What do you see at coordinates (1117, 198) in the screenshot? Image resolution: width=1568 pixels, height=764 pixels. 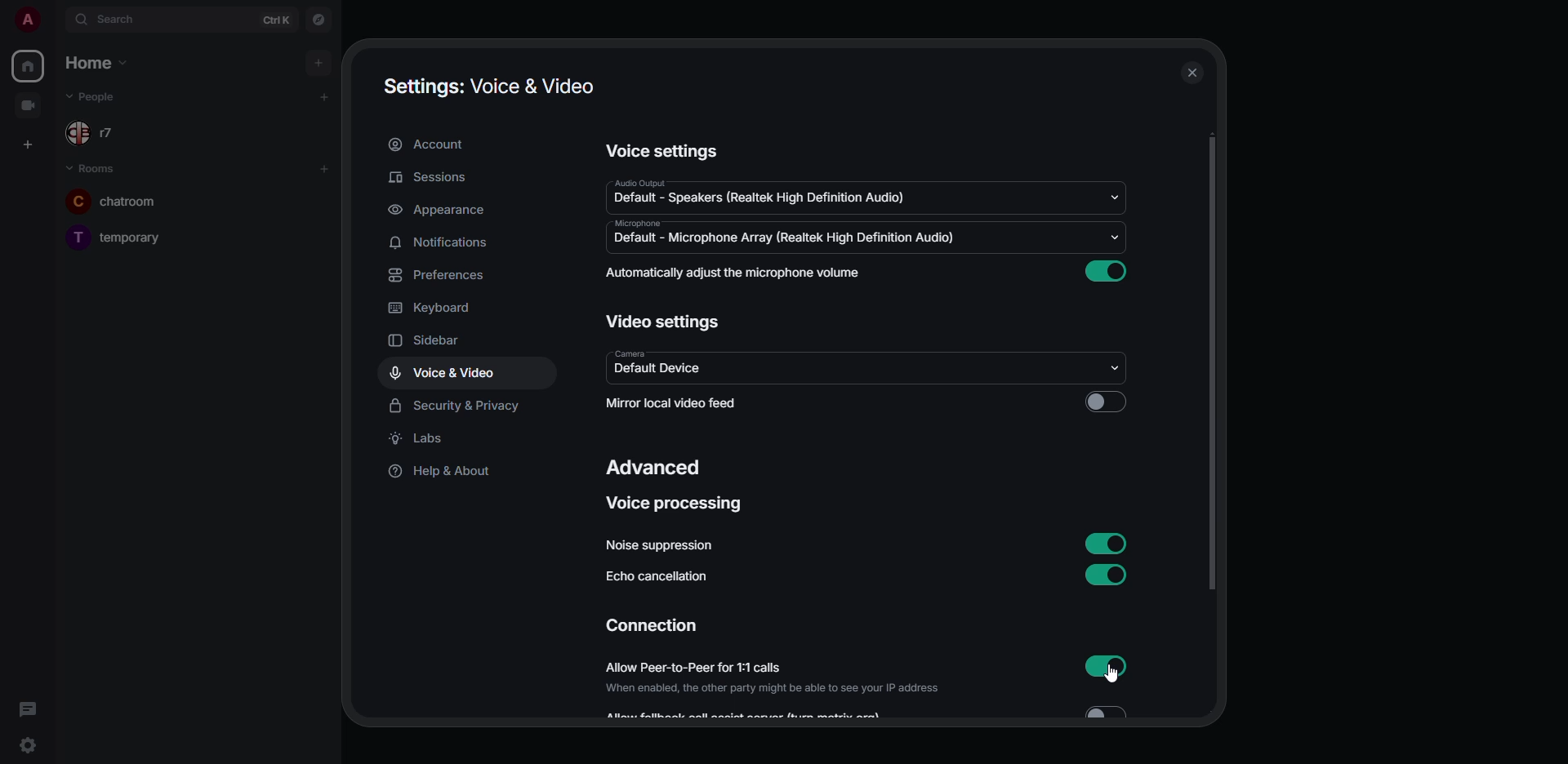 I see `drop down` at bounding box center [1117, 198].